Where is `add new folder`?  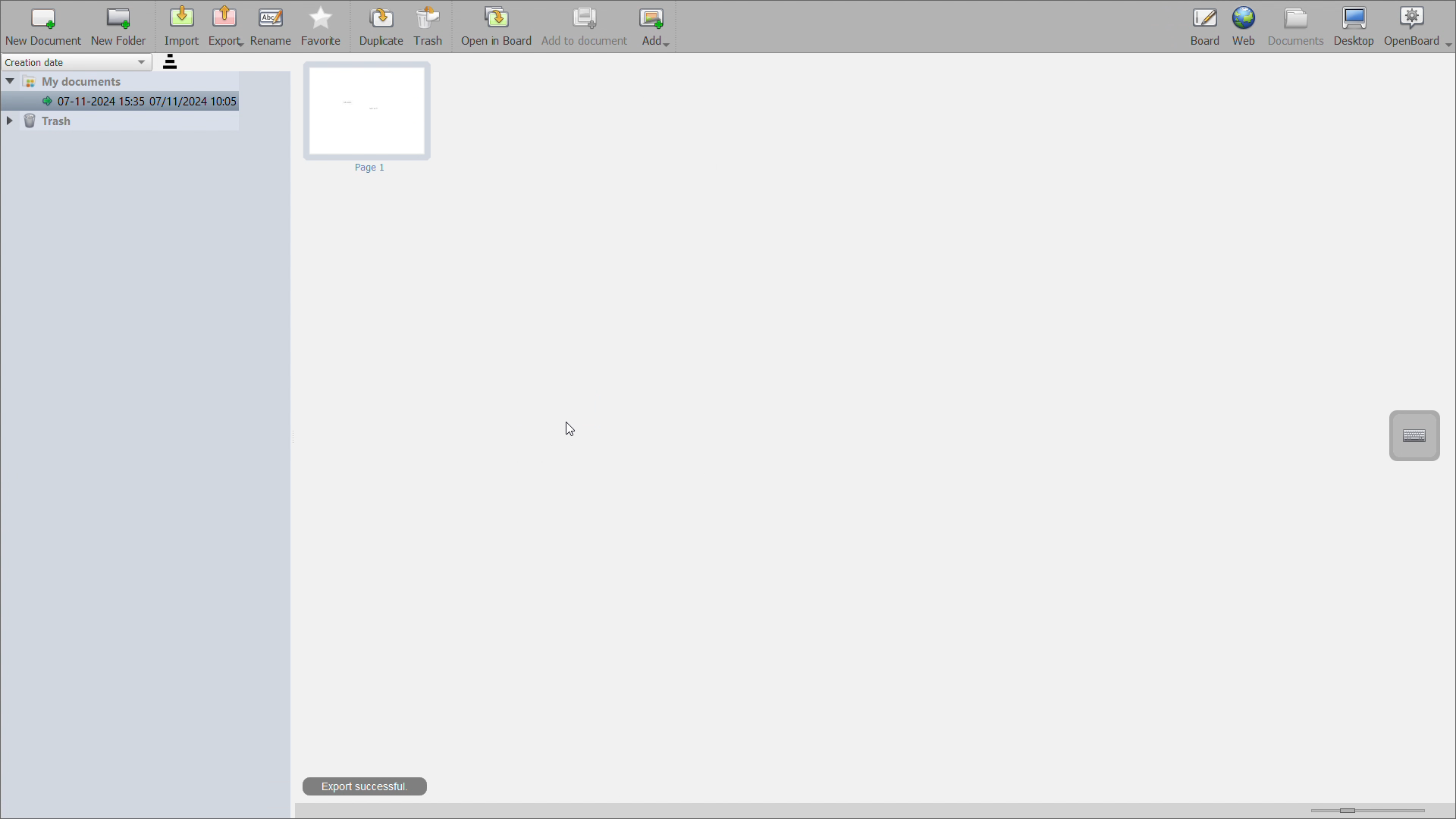
add new folder is located at coordinates (119, 27).